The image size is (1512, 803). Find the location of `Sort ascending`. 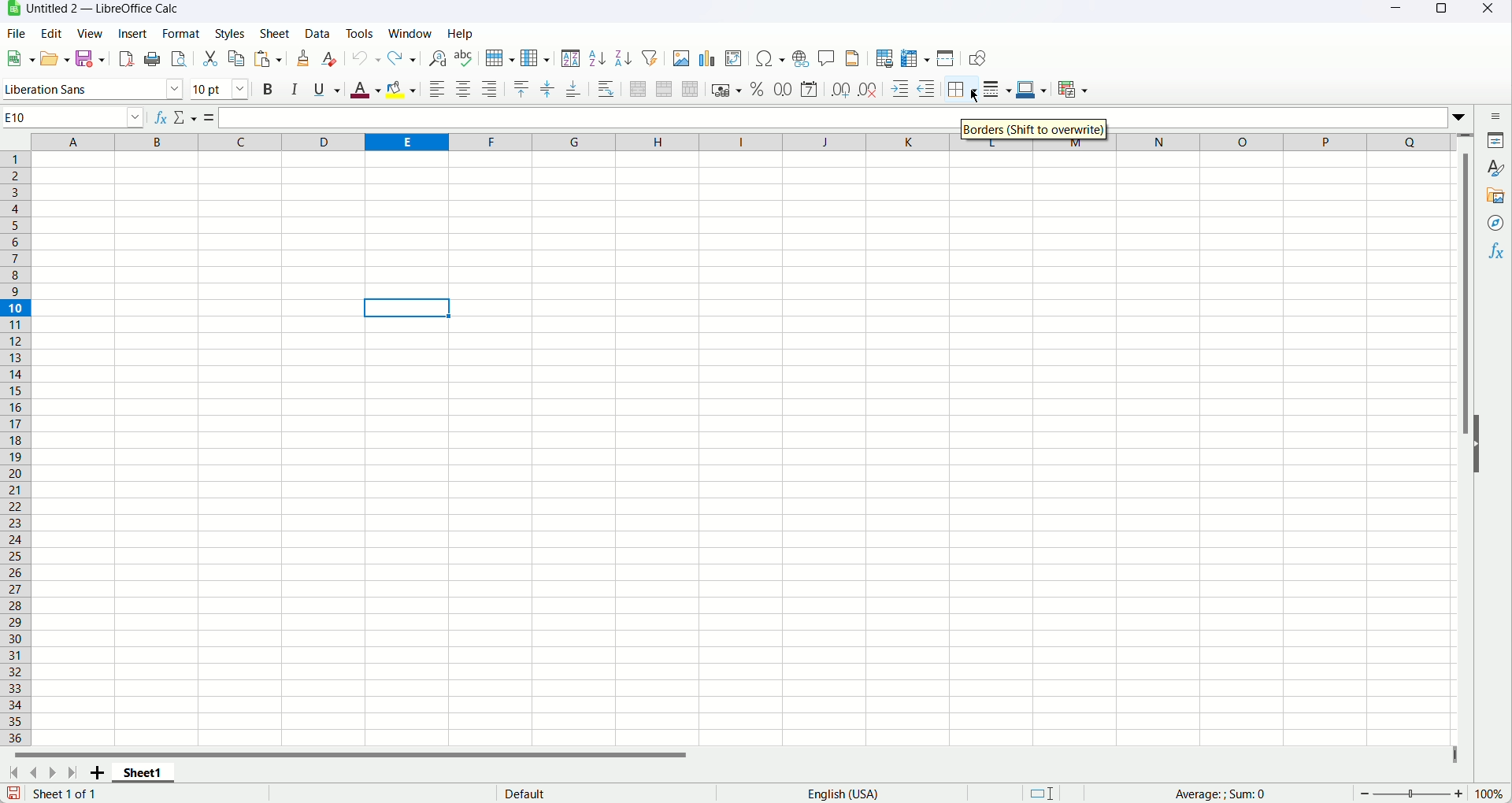

Sort ascending is located at coordinates (598, 58).